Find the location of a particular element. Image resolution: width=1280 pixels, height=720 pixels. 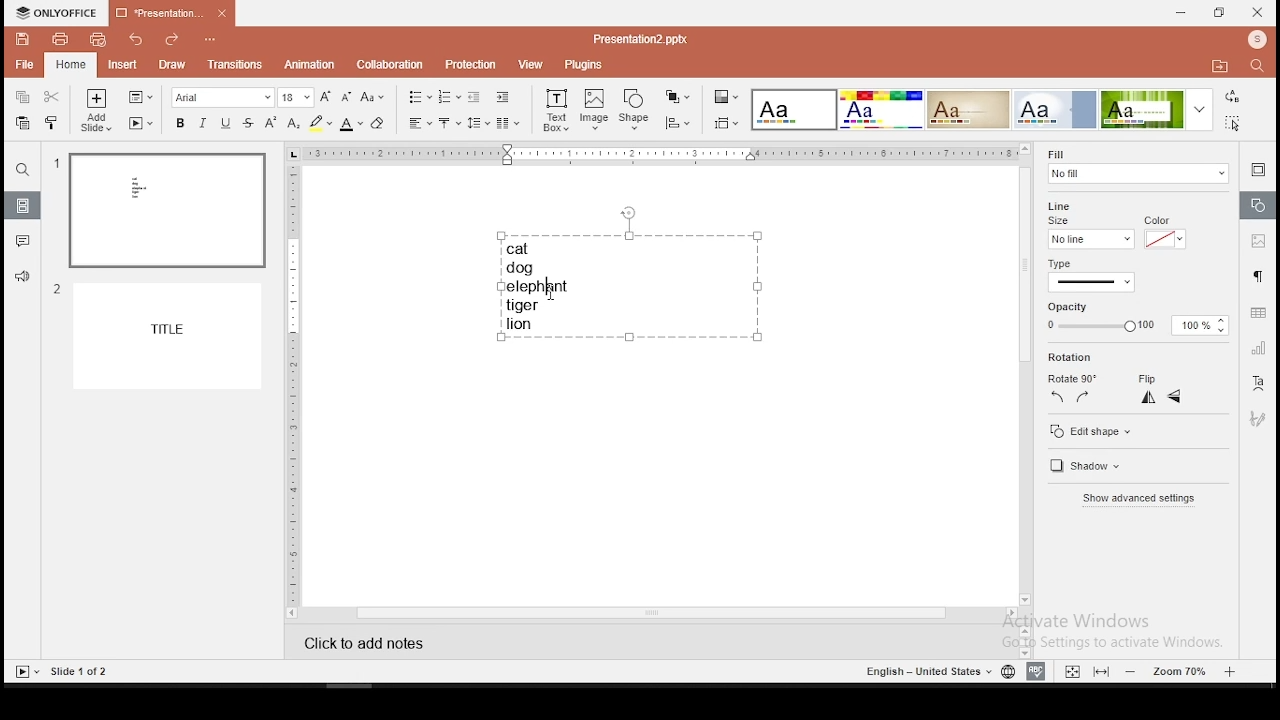

add slide is located at coordinates (94, 110).